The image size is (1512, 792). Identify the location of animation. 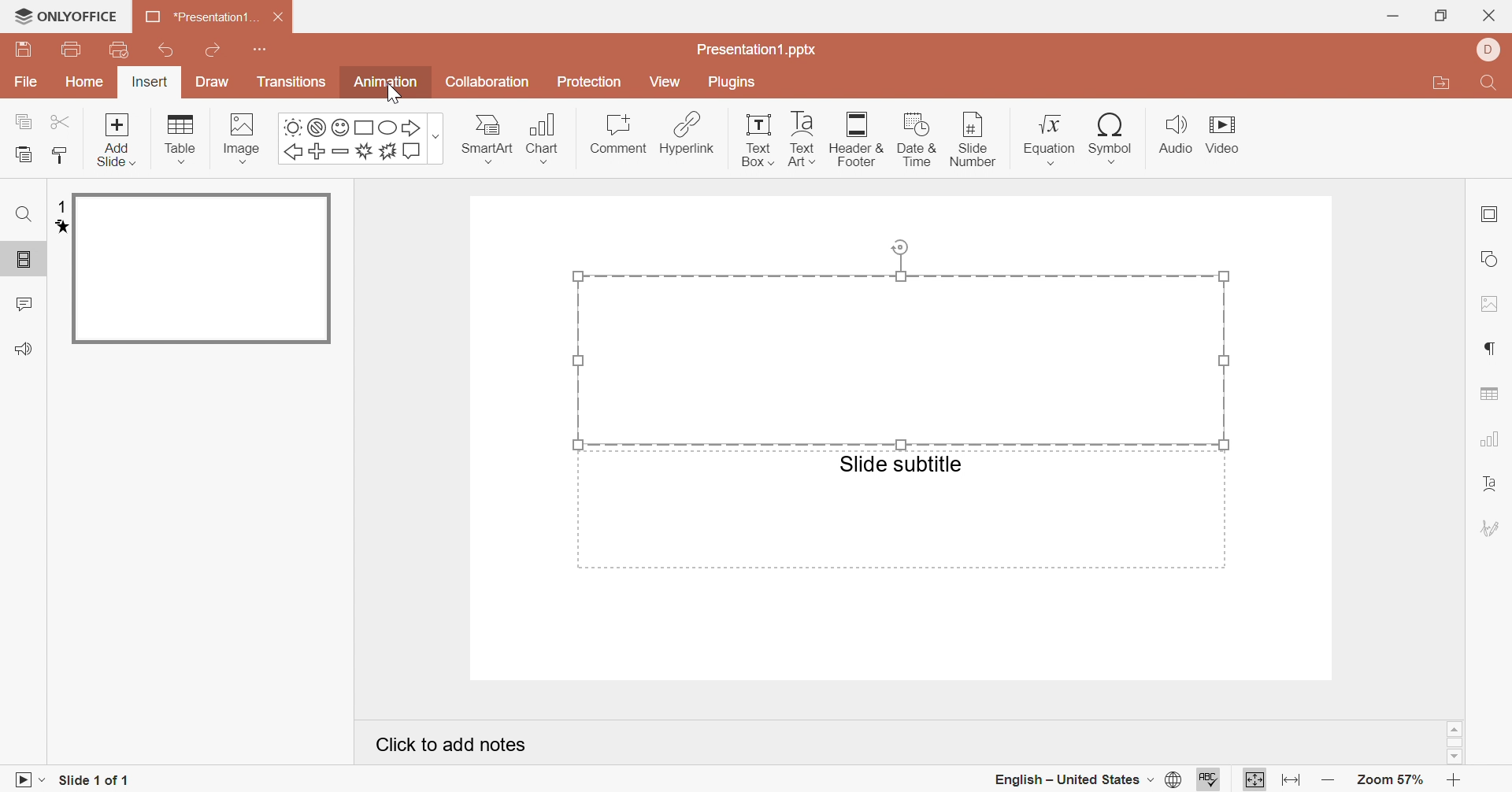
(57, 228).